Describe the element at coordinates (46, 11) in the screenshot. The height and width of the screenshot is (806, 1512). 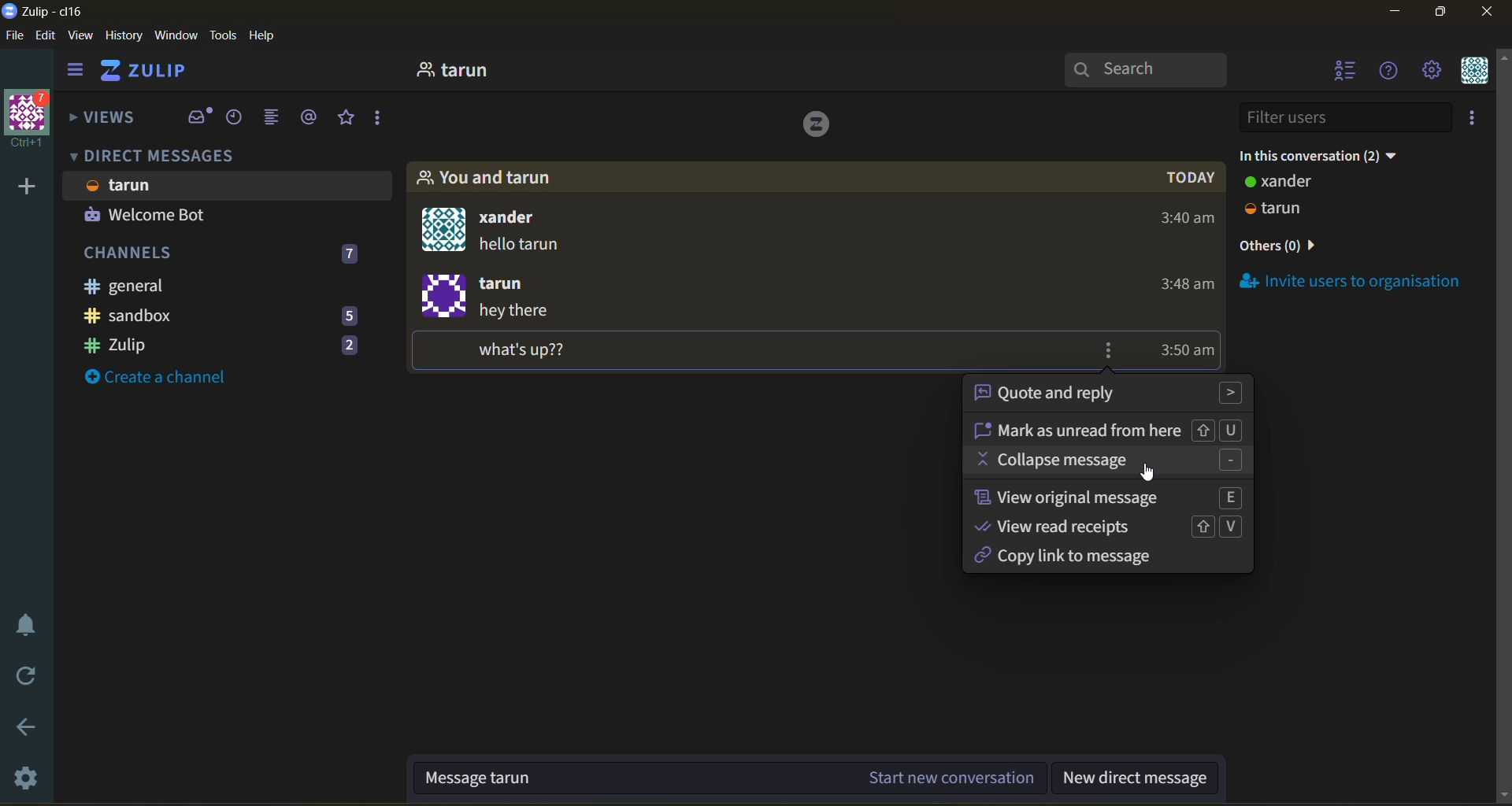
I see `app name and organisation name` at that location.